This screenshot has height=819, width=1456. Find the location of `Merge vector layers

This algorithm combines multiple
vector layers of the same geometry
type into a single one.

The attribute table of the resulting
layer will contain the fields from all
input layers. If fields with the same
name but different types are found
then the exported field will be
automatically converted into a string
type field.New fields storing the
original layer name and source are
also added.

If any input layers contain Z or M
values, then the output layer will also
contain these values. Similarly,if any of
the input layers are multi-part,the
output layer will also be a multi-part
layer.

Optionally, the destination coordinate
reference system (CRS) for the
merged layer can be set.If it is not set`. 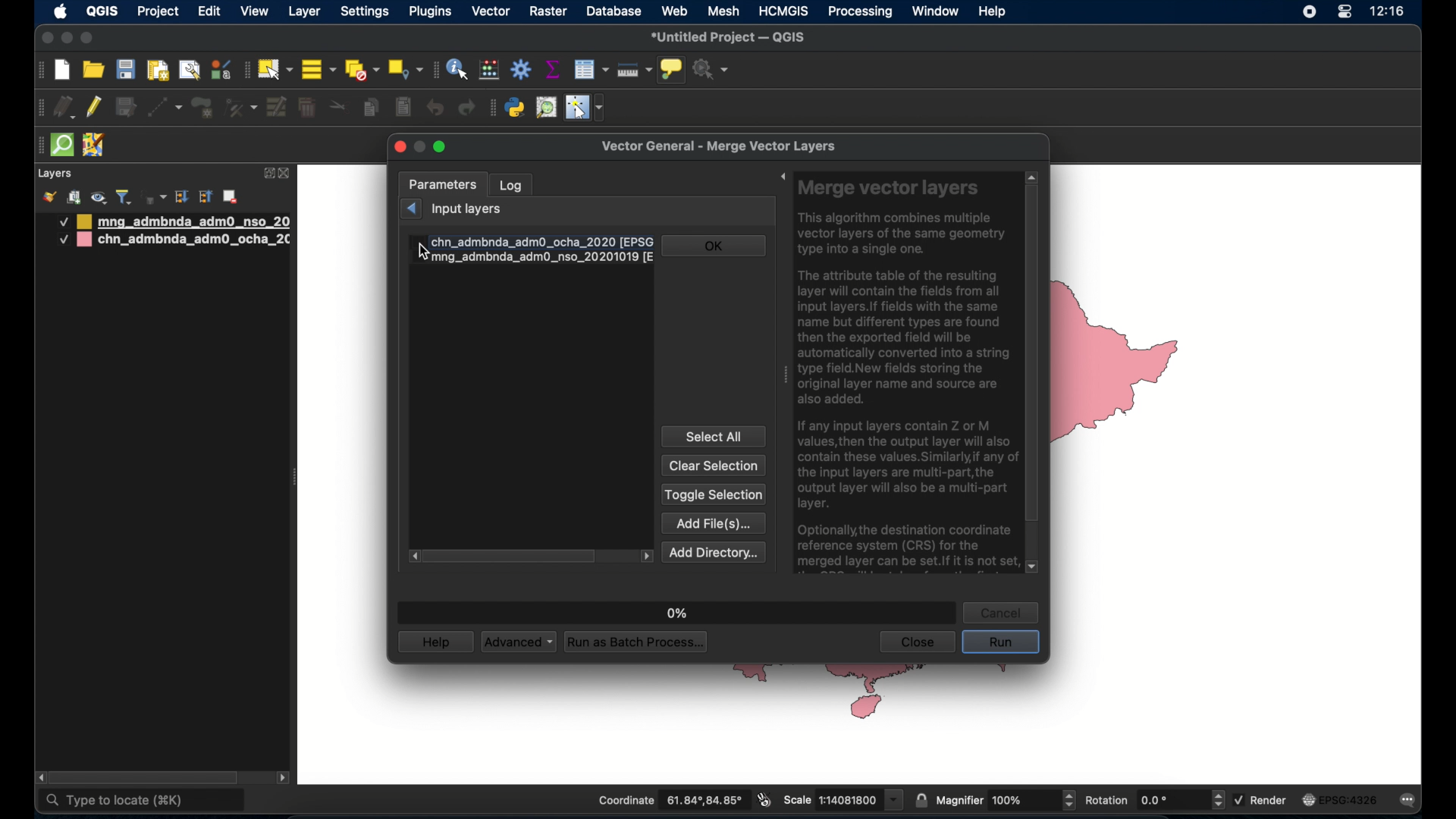

Merge vector layers

This algorithm combines multiple
vector layers of the same geometry
type into a single one.

The attribute table of the resulting
layer will contain the fields from all
input layers. If fields with the same
name but different types are found
then the exported field will be
automatically converted into a string
type field.New fields storing the
original layer name and source are
also added.

If any input layers contain Z or M
values, then the output layer will also
contain these values. Similarly,if any of
the input layers are multi-part,the
output layer will also be a multi-part
layer.

Optionally, the destination coordinate
reference system (CRS) for the
merged layer can be set.If it is not set is located at coordinates (905, 375).